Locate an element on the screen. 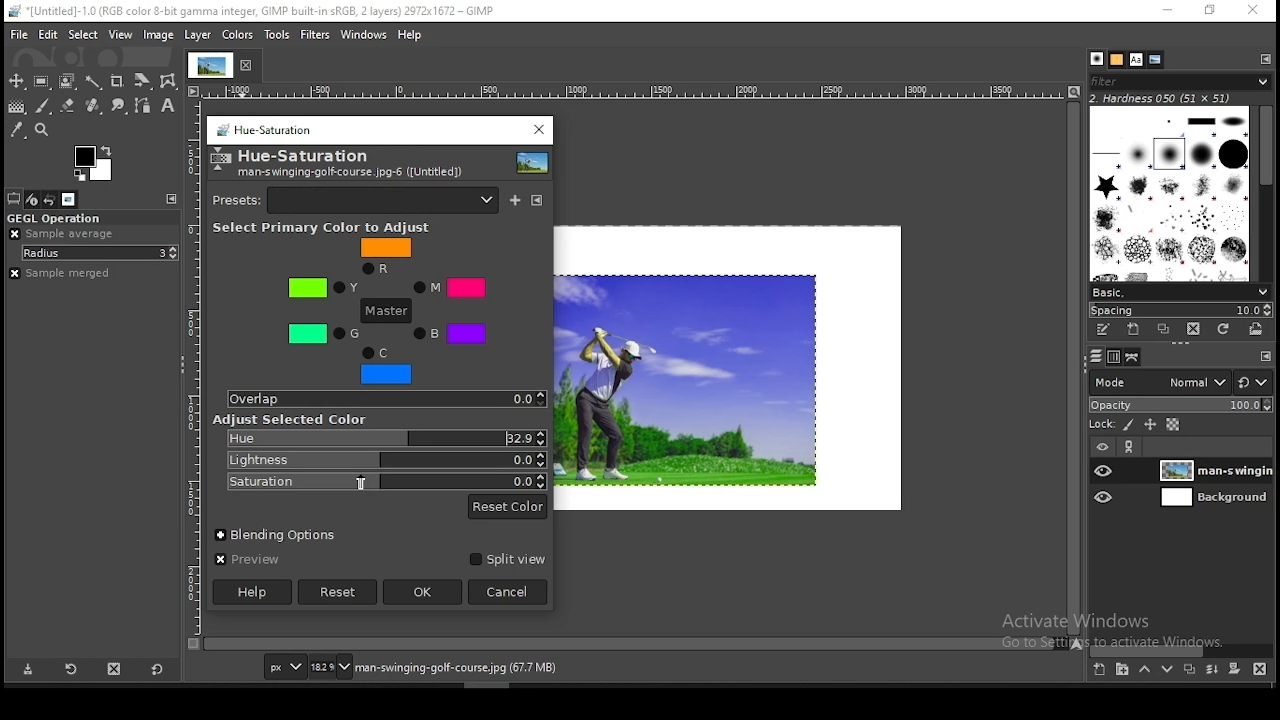  close window is located at coordinates (536, 131).